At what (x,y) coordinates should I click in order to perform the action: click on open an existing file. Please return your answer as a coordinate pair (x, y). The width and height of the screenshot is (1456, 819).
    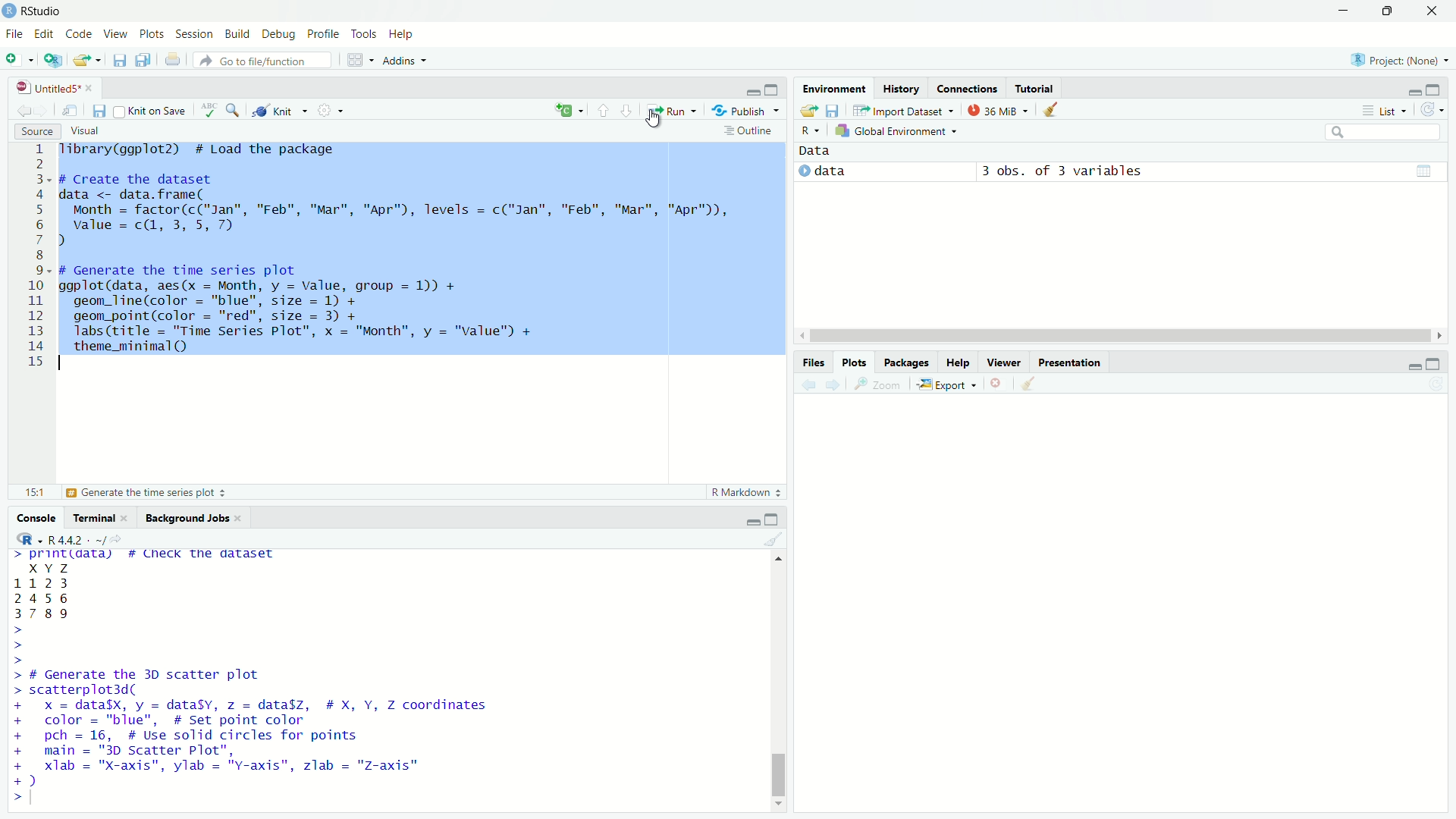
    Looking at the image, I should click on (88, 58).